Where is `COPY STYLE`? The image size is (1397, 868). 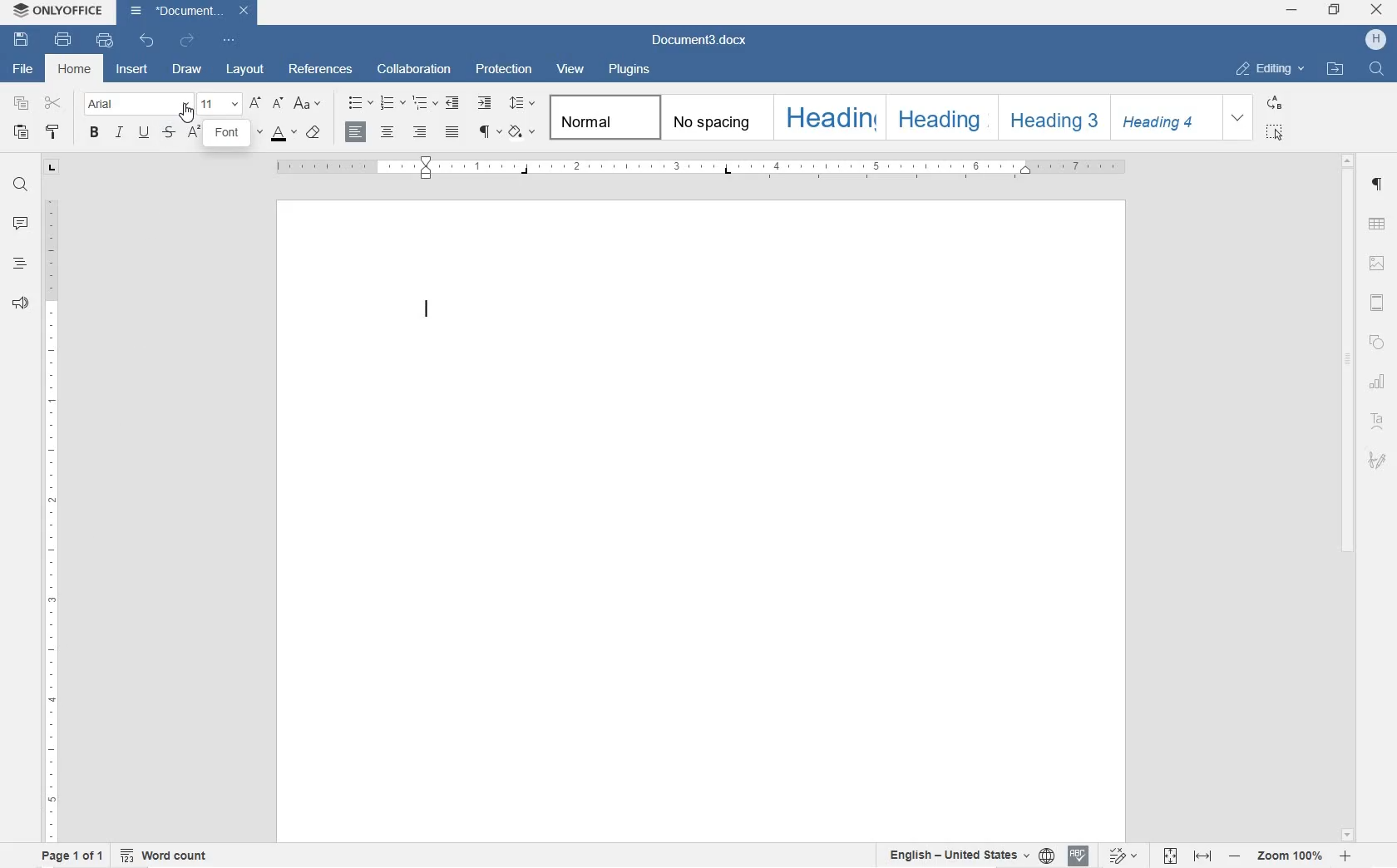 COPY STYLE is located at coordinates (54, 134).